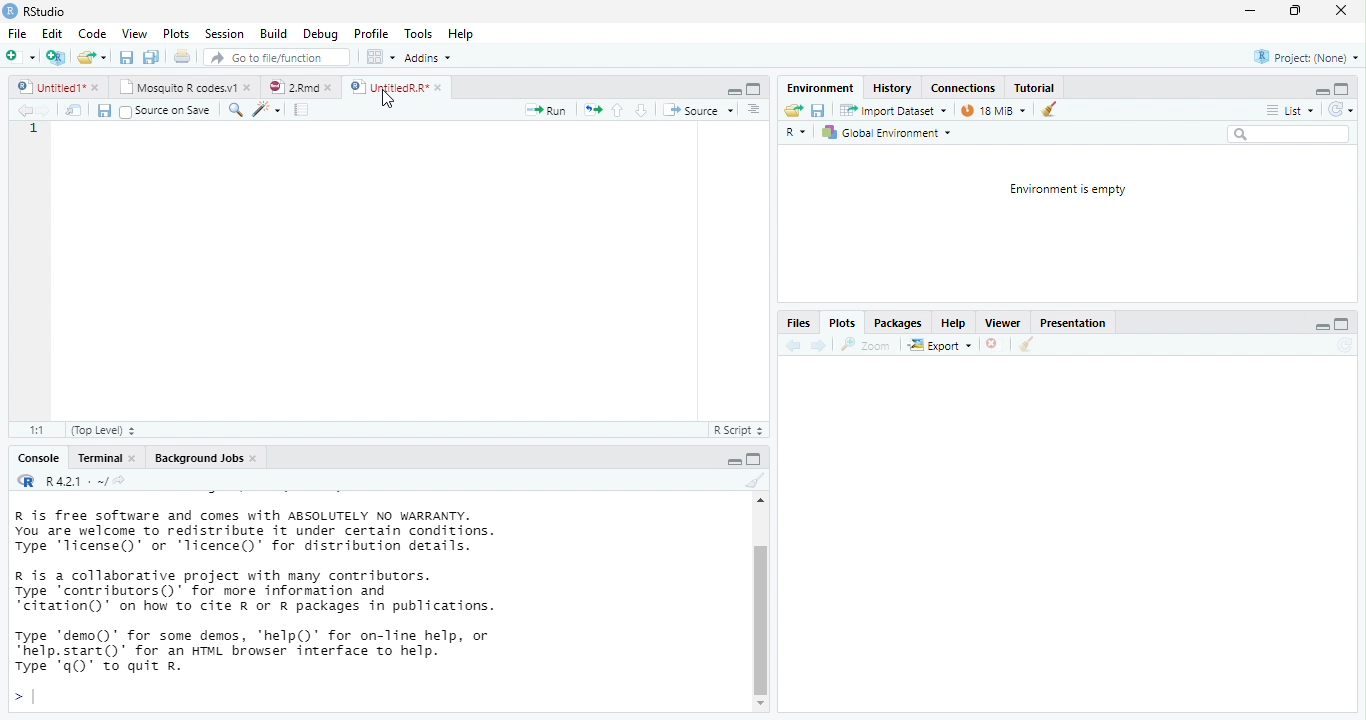  I want to click on Terminal, so click(99, 458).